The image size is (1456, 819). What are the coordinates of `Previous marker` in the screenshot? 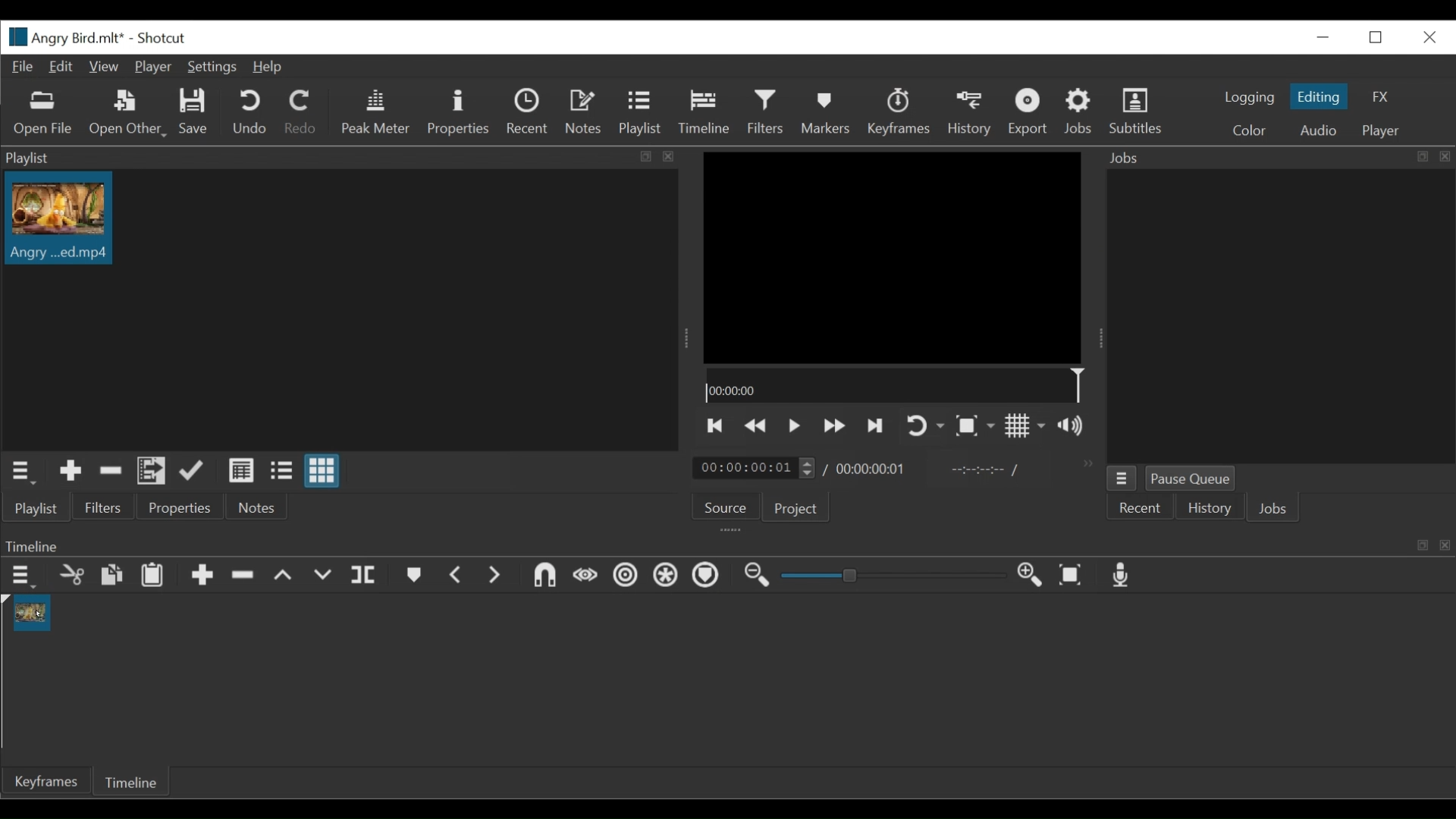 It's located at (457, 576).